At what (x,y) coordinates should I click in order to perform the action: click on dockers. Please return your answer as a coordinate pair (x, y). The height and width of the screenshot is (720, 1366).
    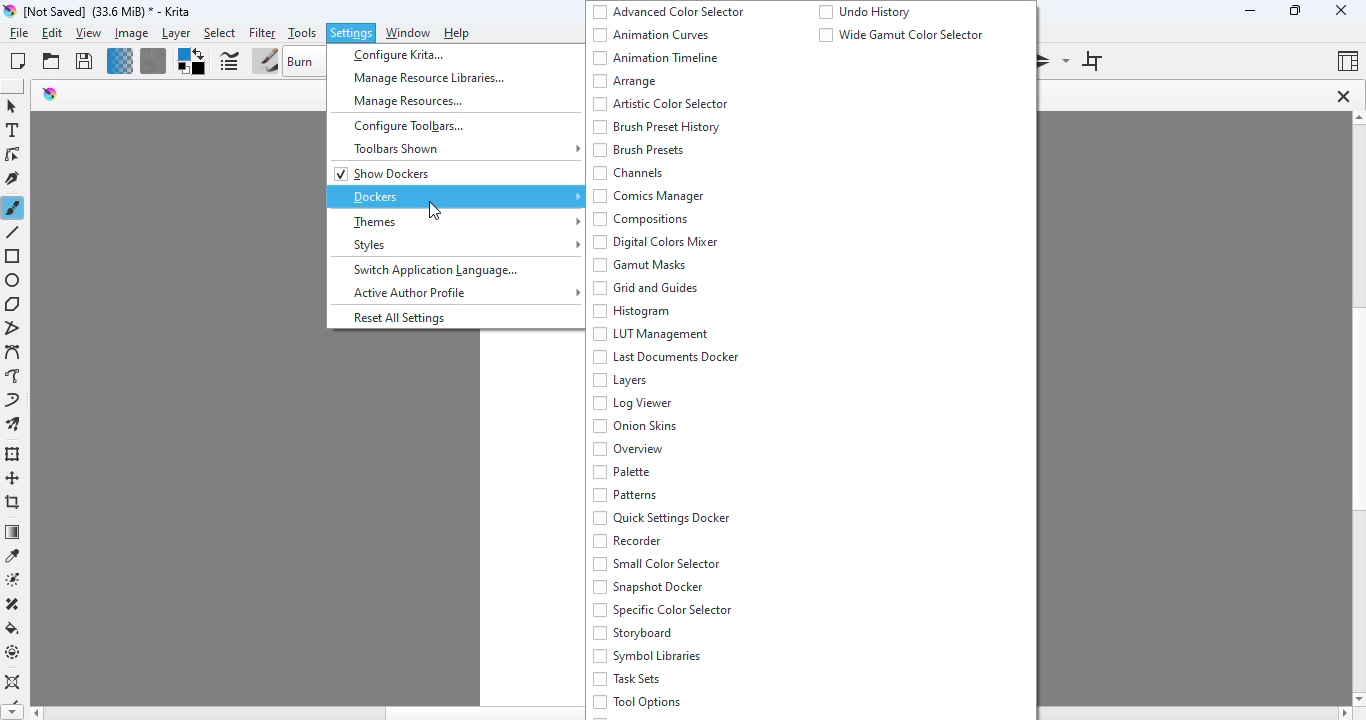
    Looking at the image, I should click on (457, 196).